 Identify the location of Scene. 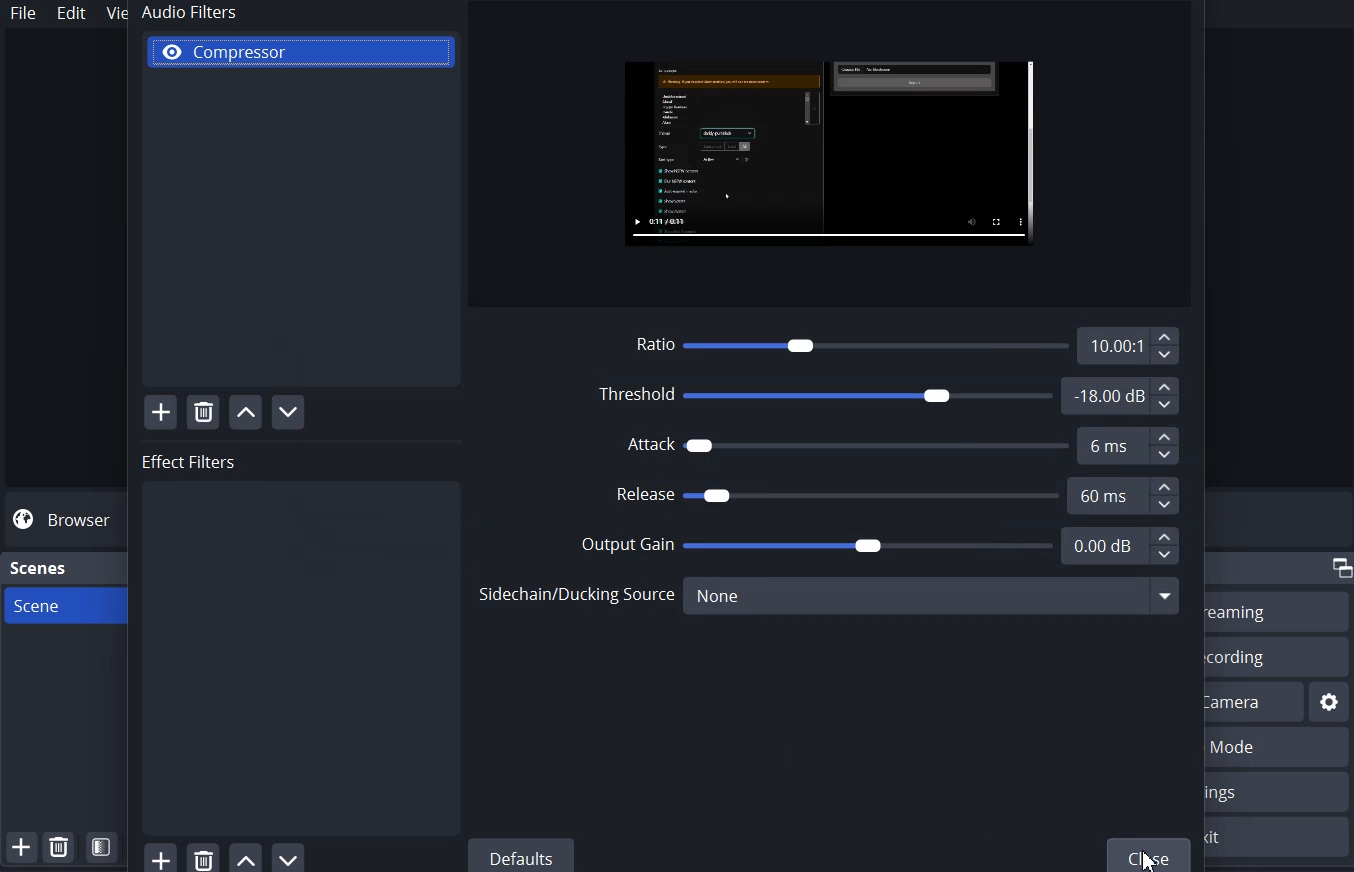
(40, 568).